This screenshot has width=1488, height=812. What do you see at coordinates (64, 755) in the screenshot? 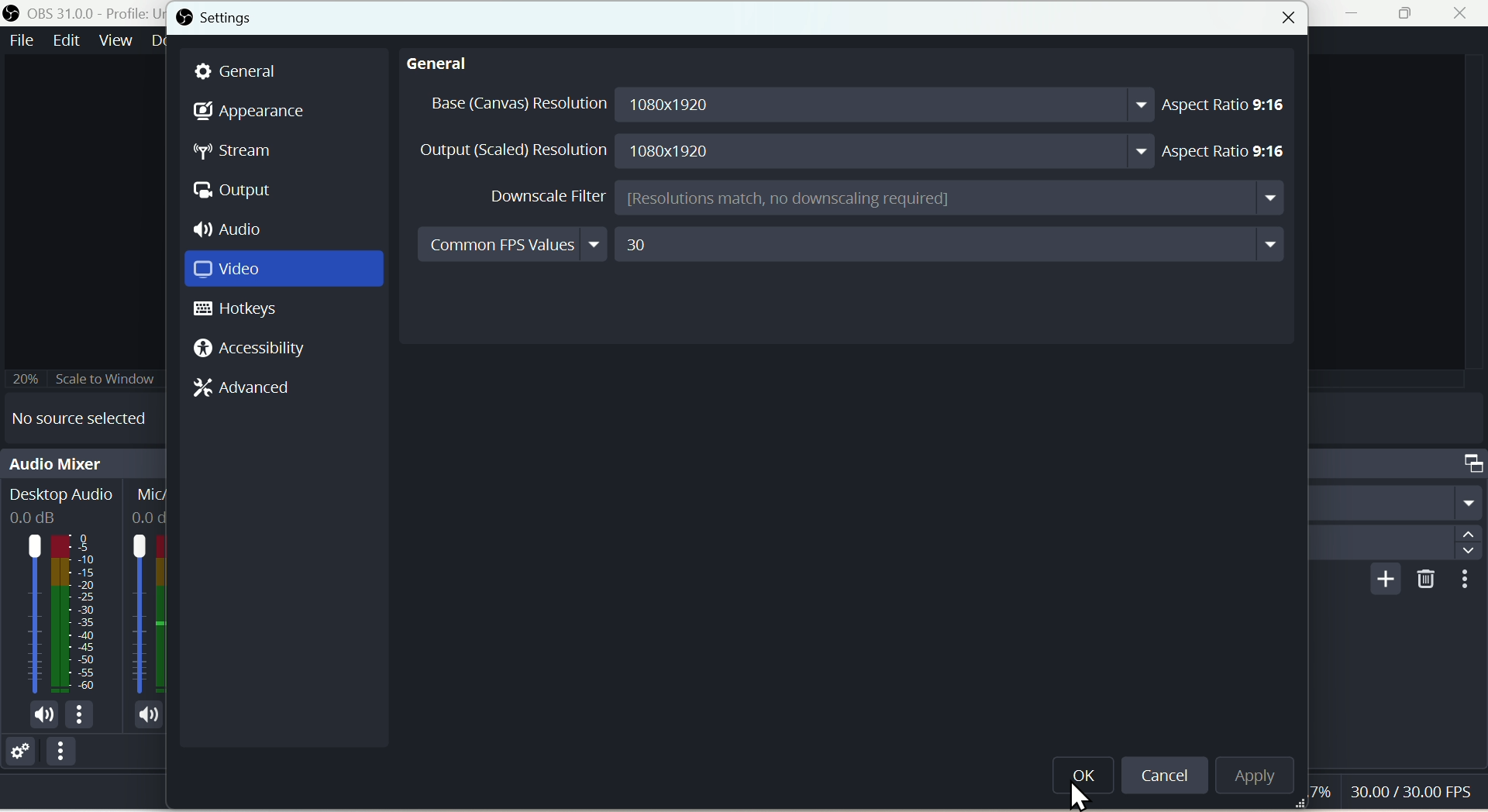
I see `Options` at bounding box center [64, 755].